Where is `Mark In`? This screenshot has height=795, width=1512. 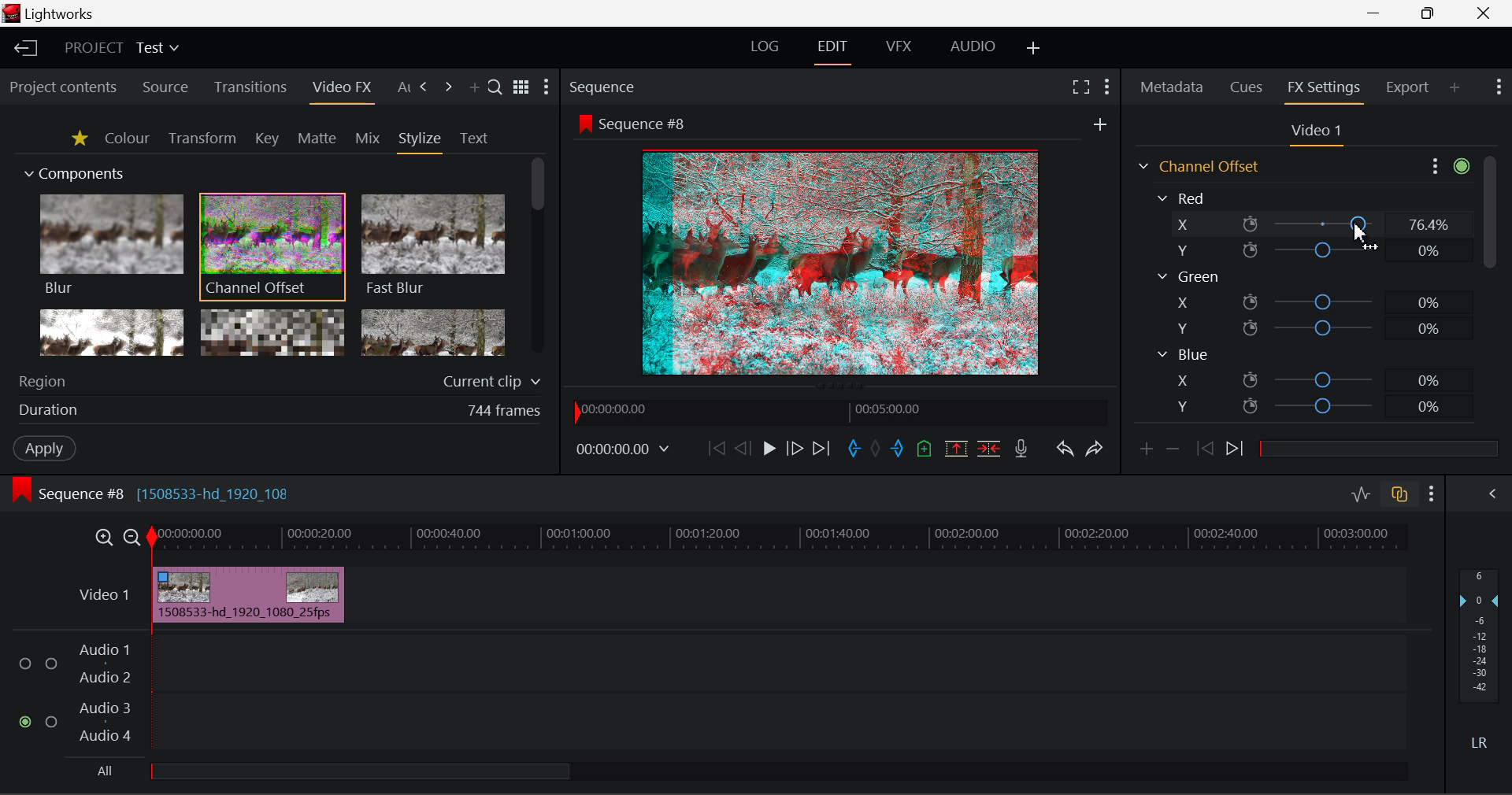
Mark In is located at coordinates (854, 449).